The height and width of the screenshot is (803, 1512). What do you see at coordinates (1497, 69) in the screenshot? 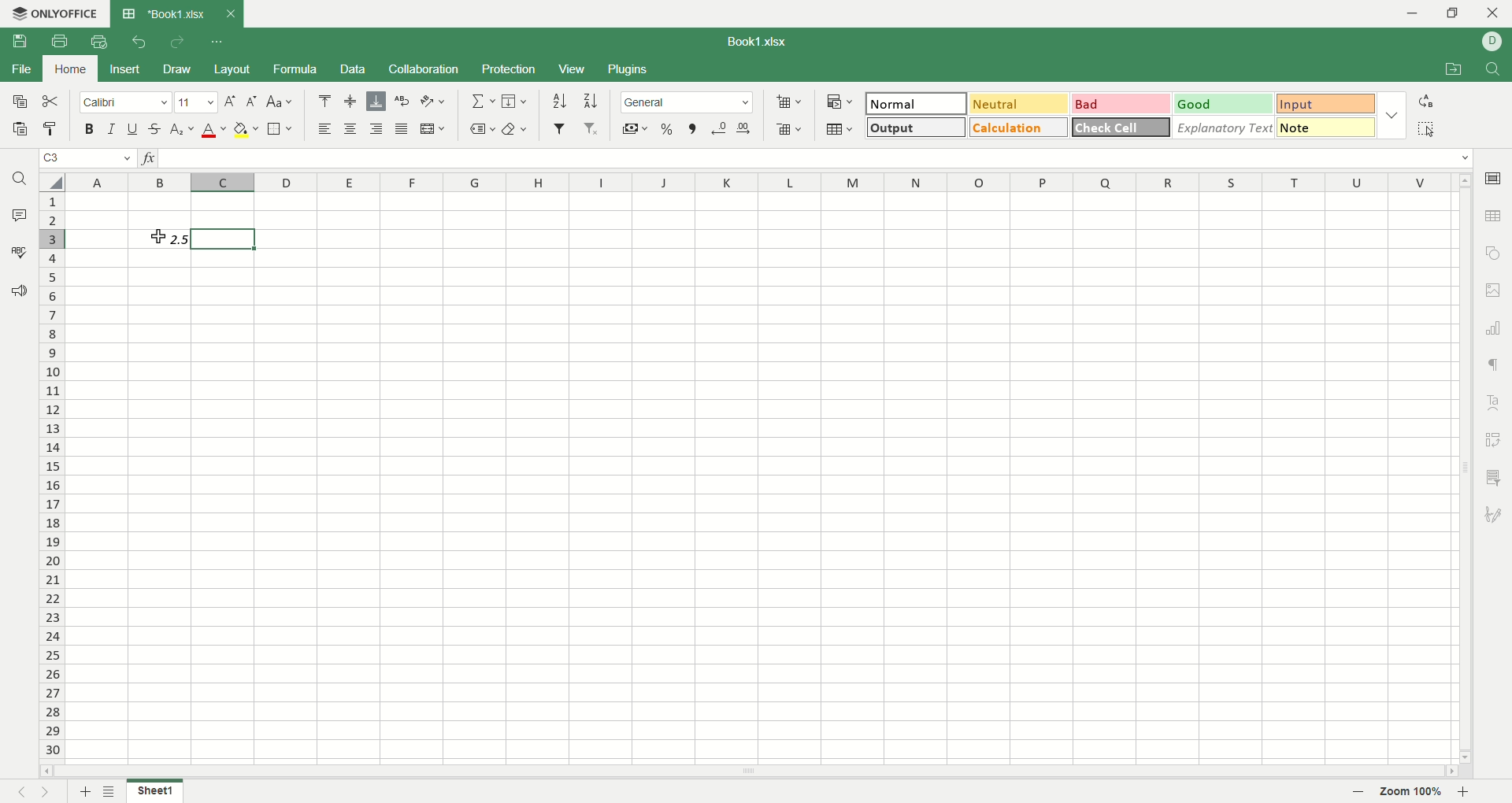
I see `find` at bounding box center [1497, 69].